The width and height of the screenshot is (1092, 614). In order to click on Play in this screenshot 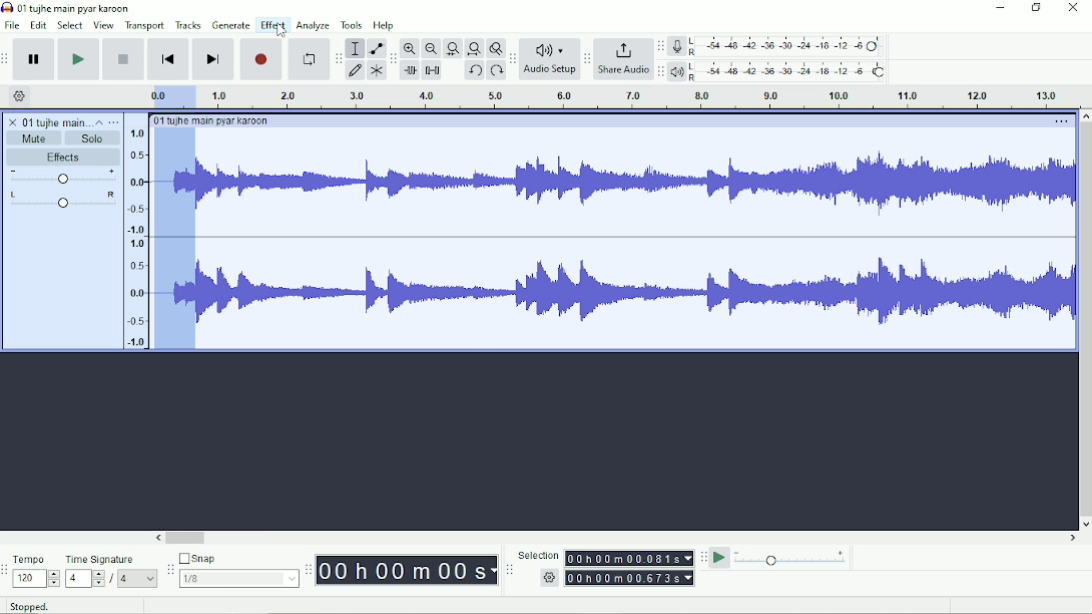, I will do `click(78, 59)`.